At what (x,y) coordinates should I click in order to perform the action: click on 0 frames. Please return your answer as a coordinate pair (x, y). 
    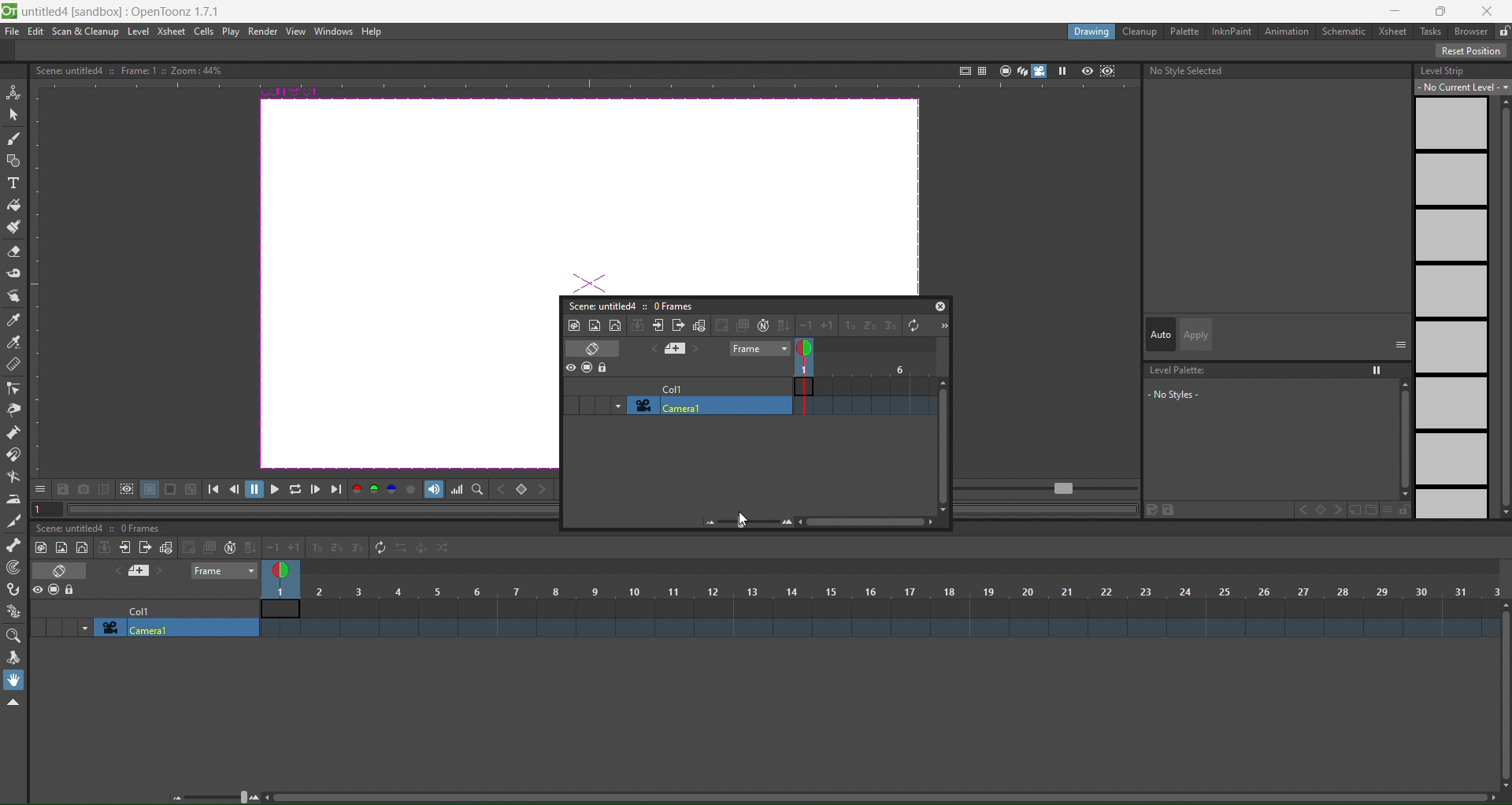
    Looking at the image, I should click on (145, 529).